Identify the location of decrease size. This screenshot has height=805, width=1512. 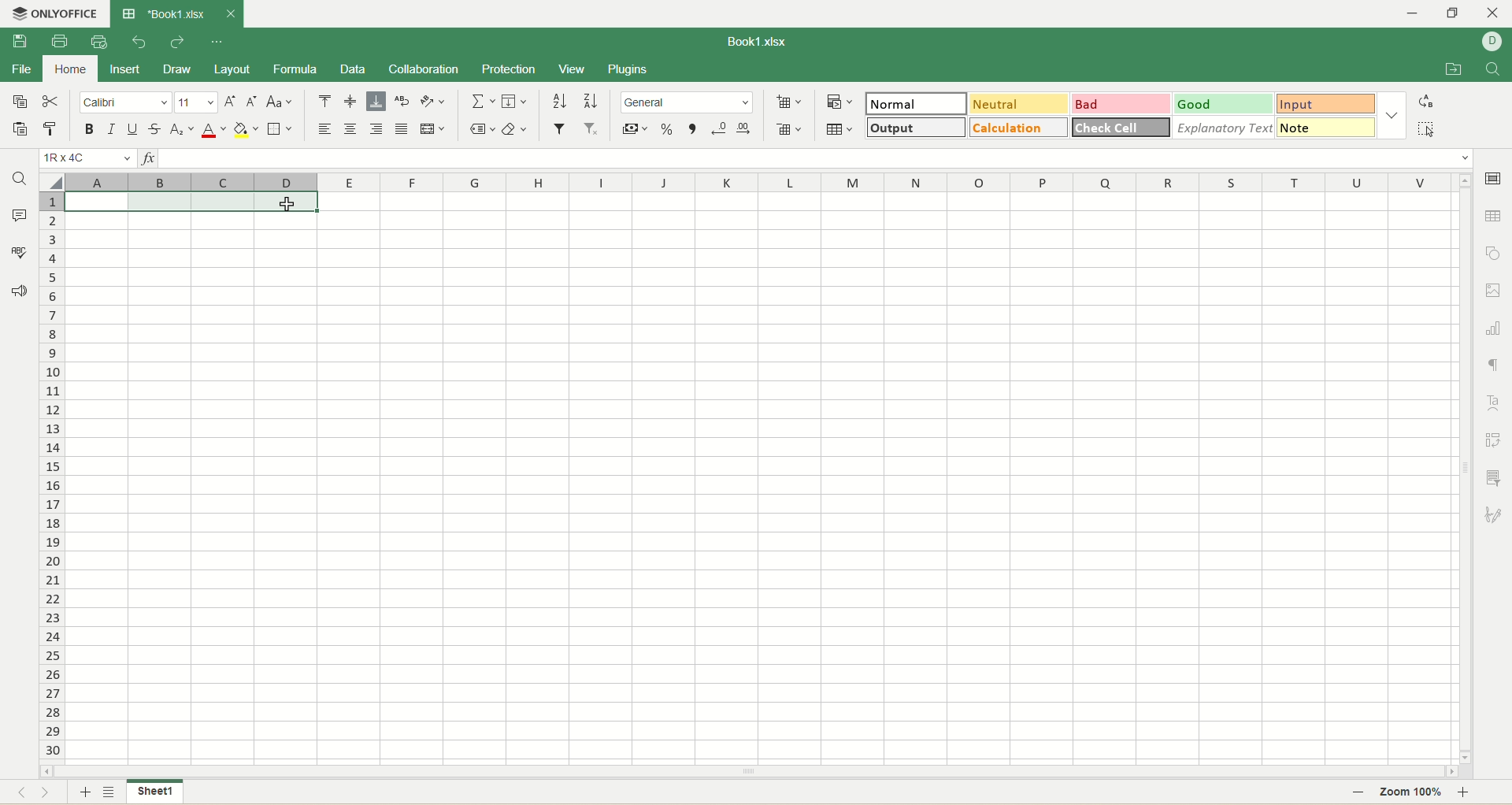
(254, 102).